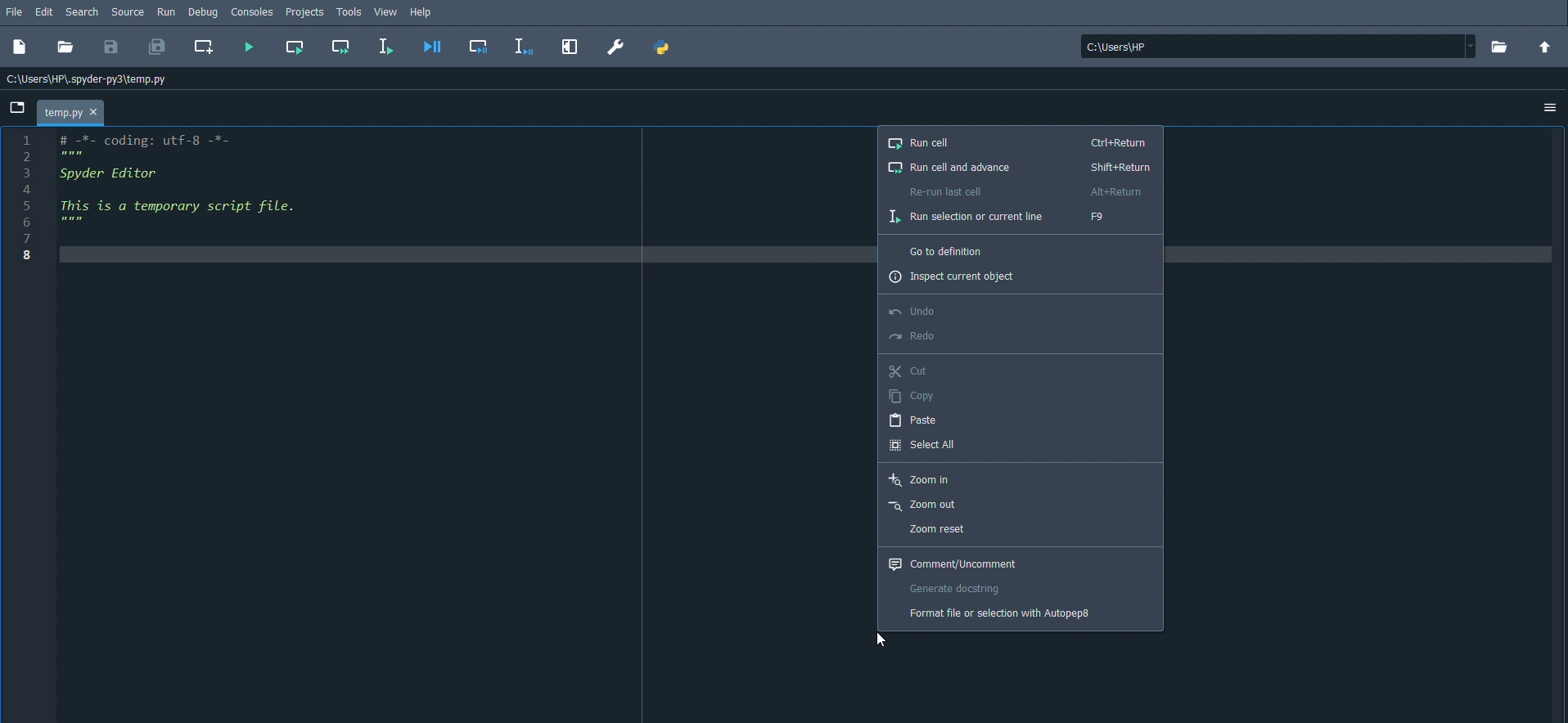  What do you see at coordinates (83, 12) in the screenshot?
I see `Search` at bounding box center [83, 12].